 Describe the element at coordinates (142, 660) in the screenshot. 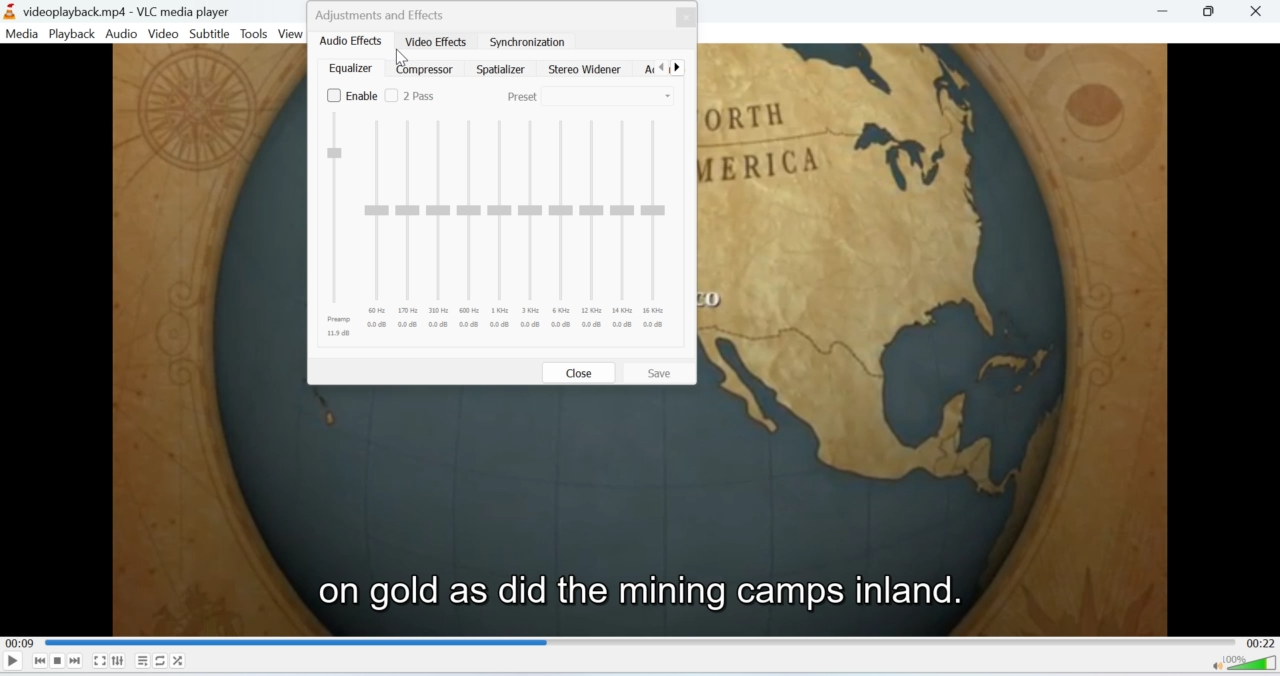

I see `Playlist` at that location.